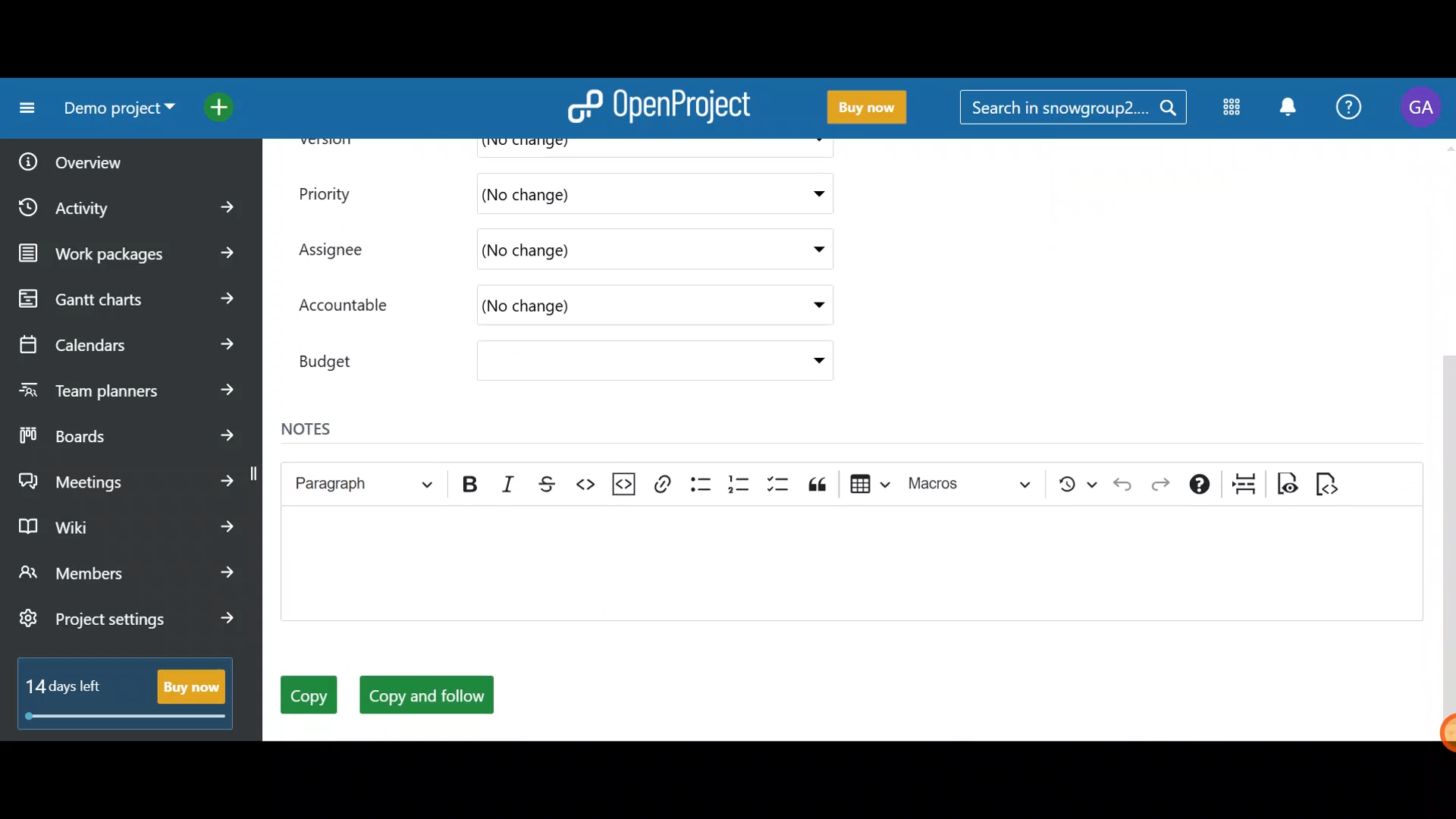 Image resolution: width=1456 pixels, height=819 pixels. What do you see at coordinates (114, 111) in the screenshot?
I see `Demo project` at bounding box center [114, 111].